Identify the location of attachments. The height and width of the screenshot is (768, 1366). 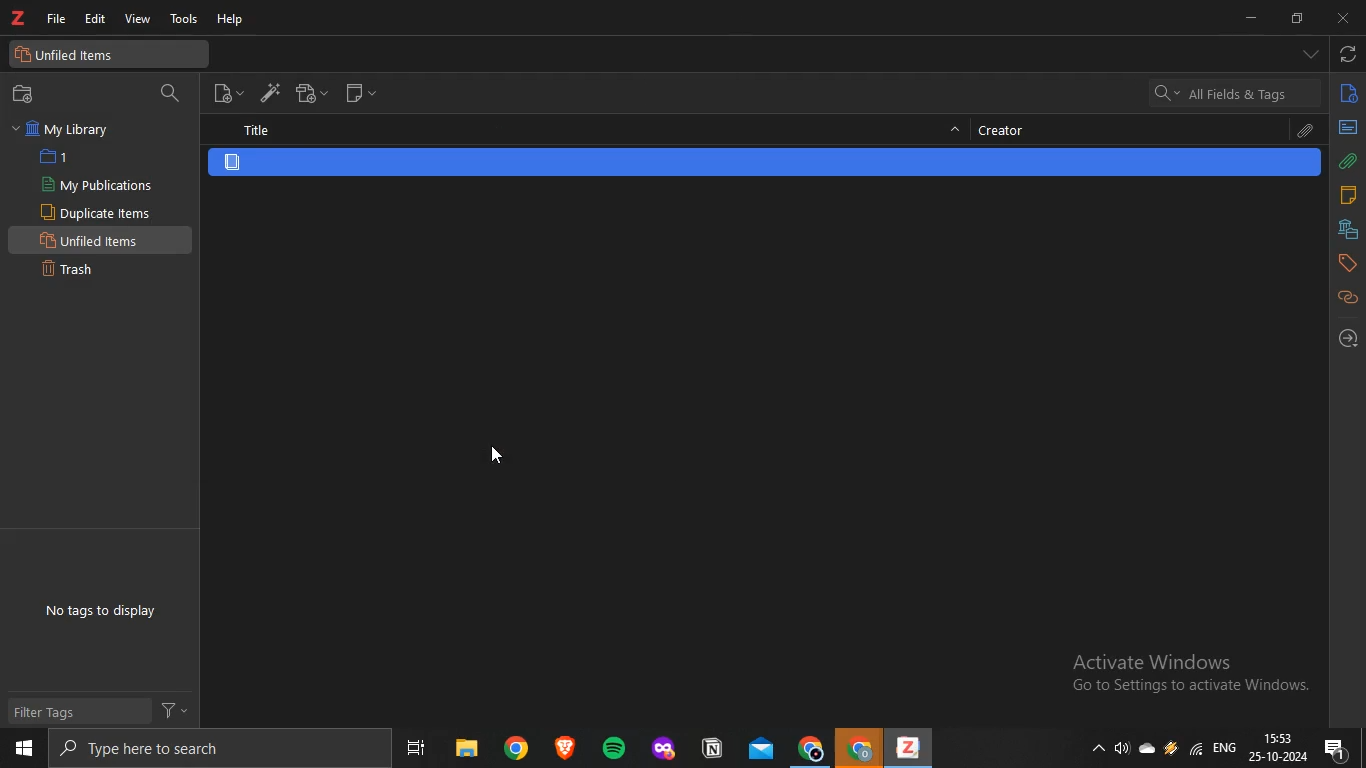
(1348, 161).